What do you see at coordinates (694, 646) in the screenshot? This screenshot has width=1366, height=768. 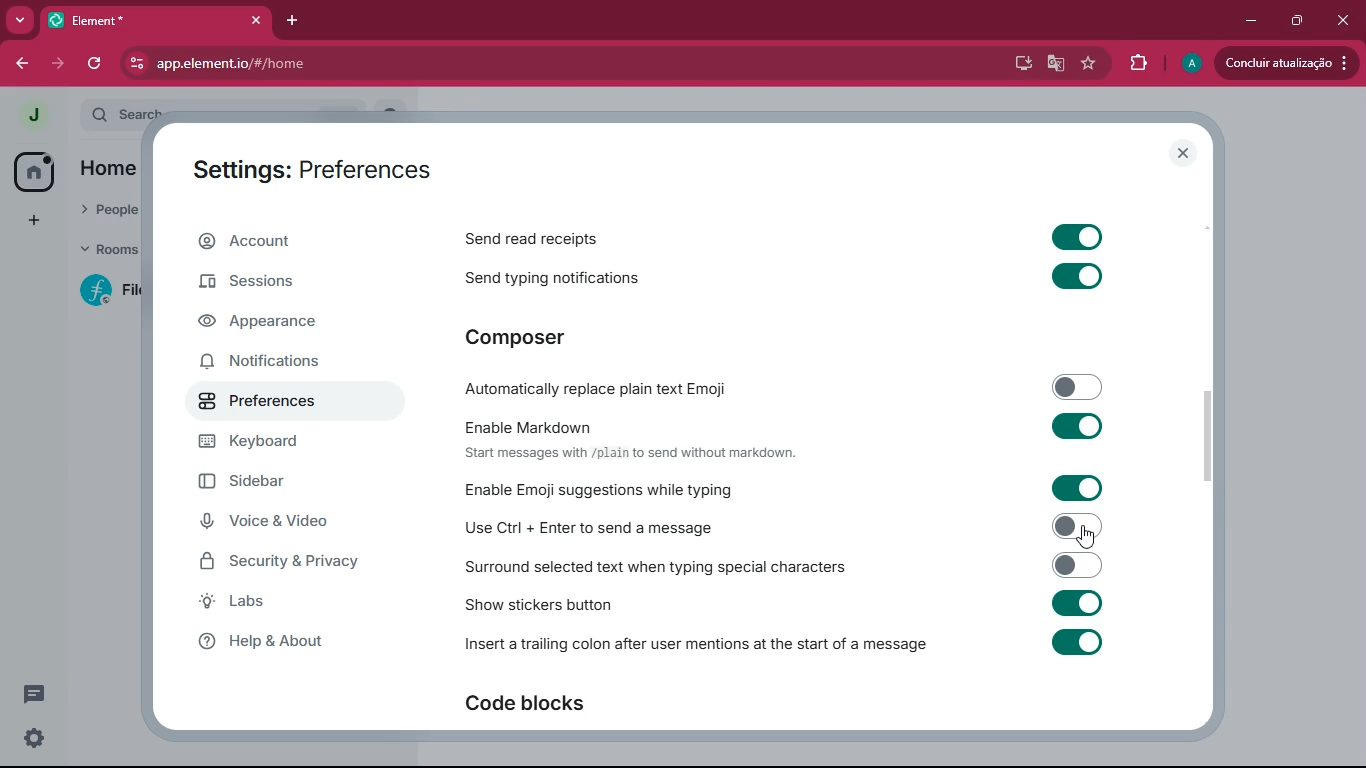 I see `insert trailing colon` at bounding box center [694, 646].